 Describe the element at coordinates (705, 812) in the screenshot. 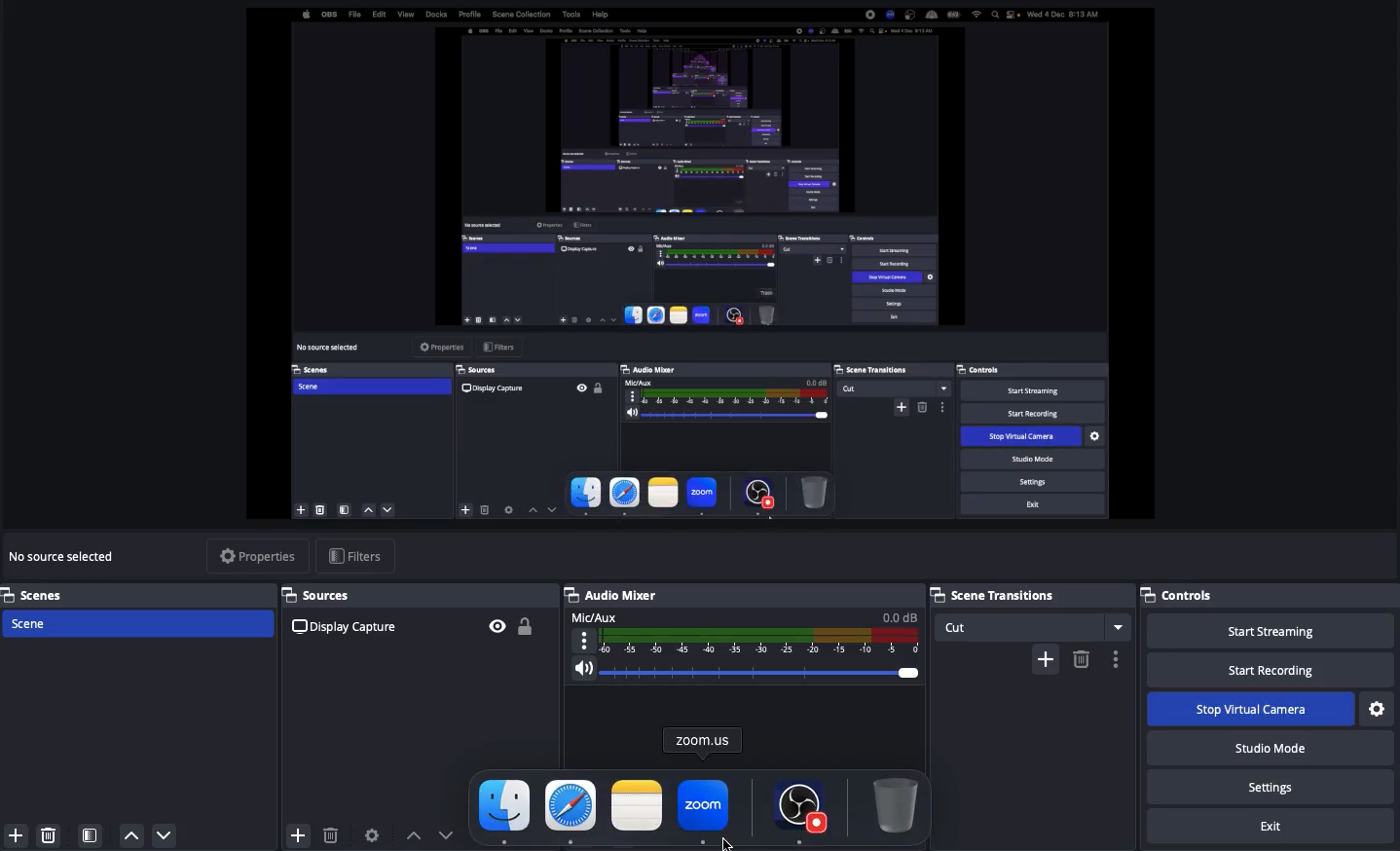

I see `Click` at that location.